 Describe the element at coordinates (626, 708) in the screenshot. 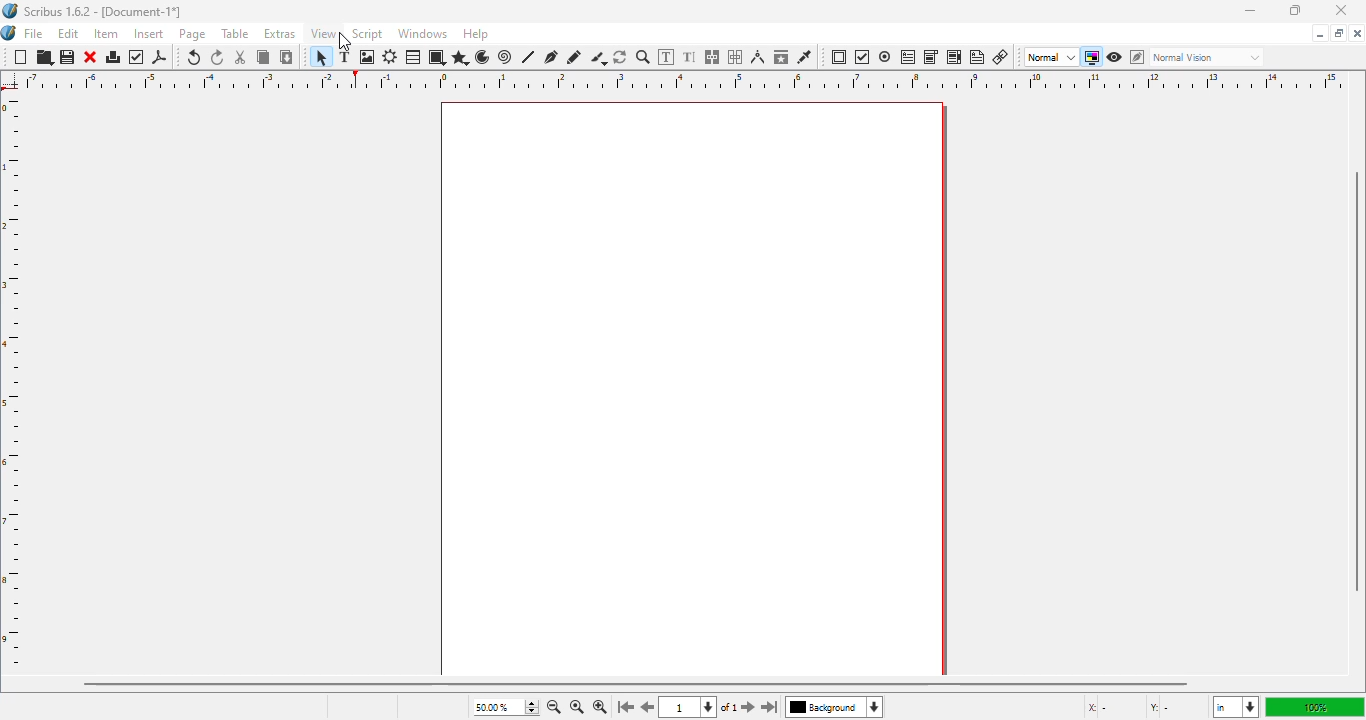

I see `go to the first page` at that location.